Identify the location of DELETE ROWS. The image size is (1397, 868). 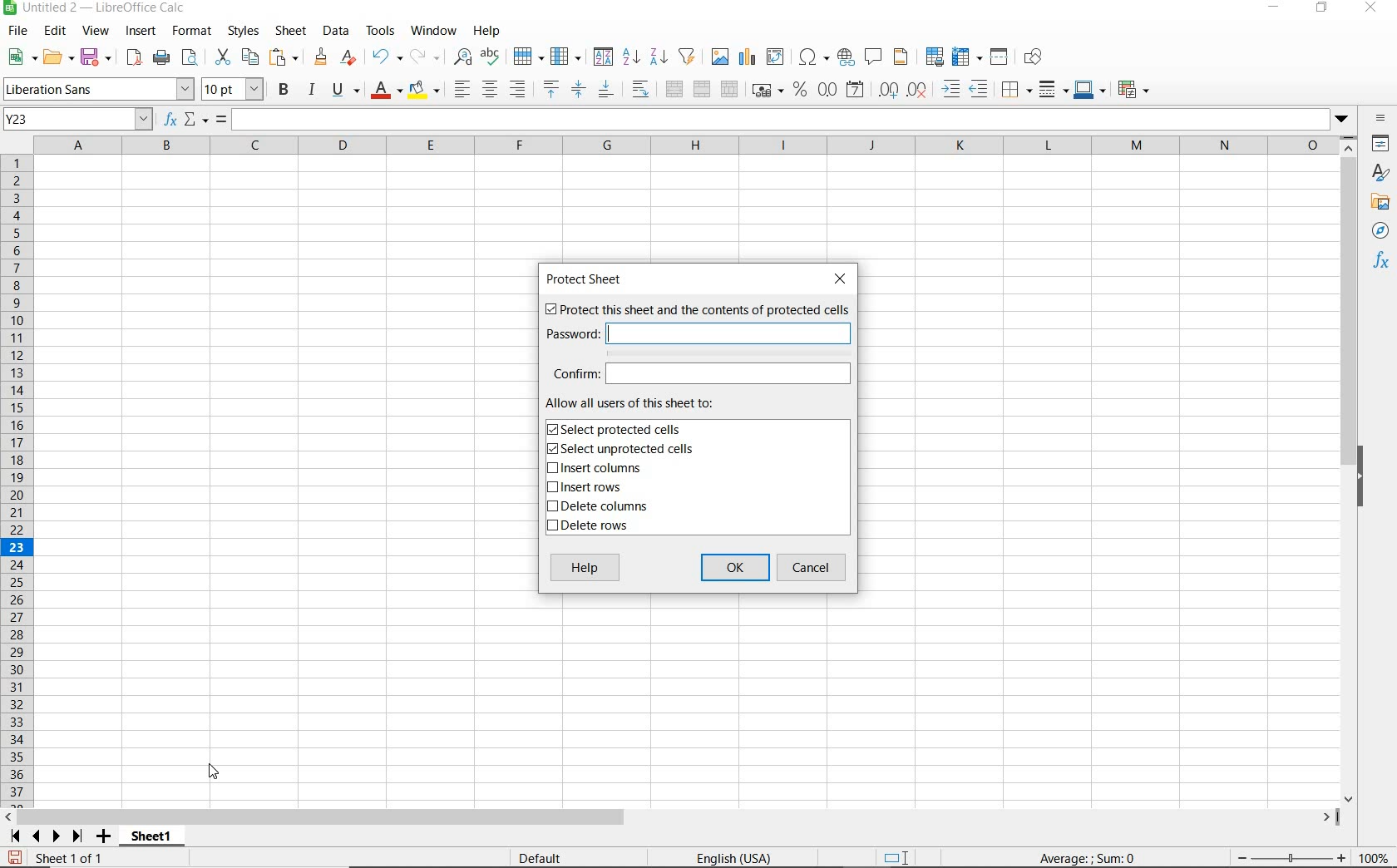
(590, 528).